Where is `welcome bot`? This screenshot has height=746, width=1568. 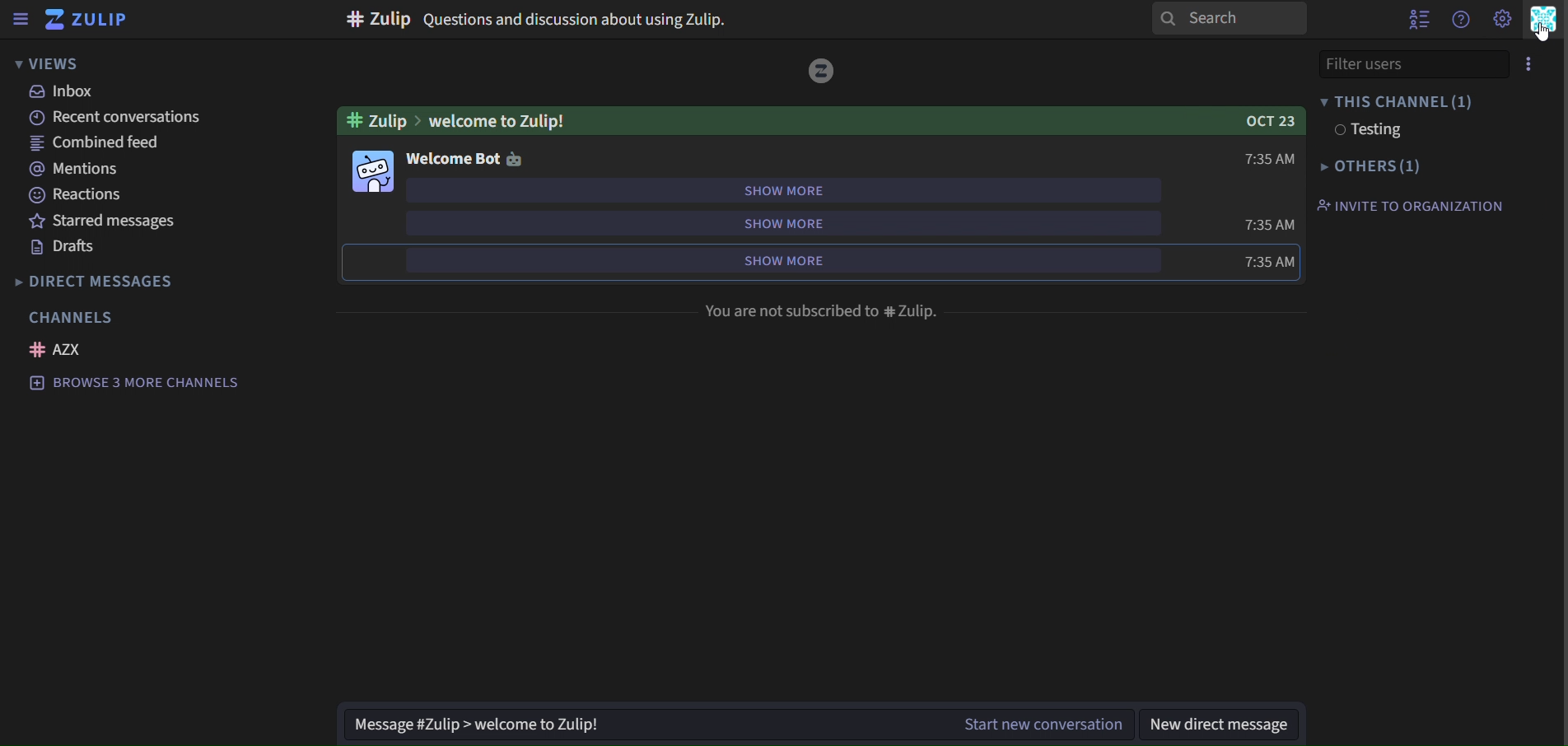
welcome bot is located at coordinates (466, 158).